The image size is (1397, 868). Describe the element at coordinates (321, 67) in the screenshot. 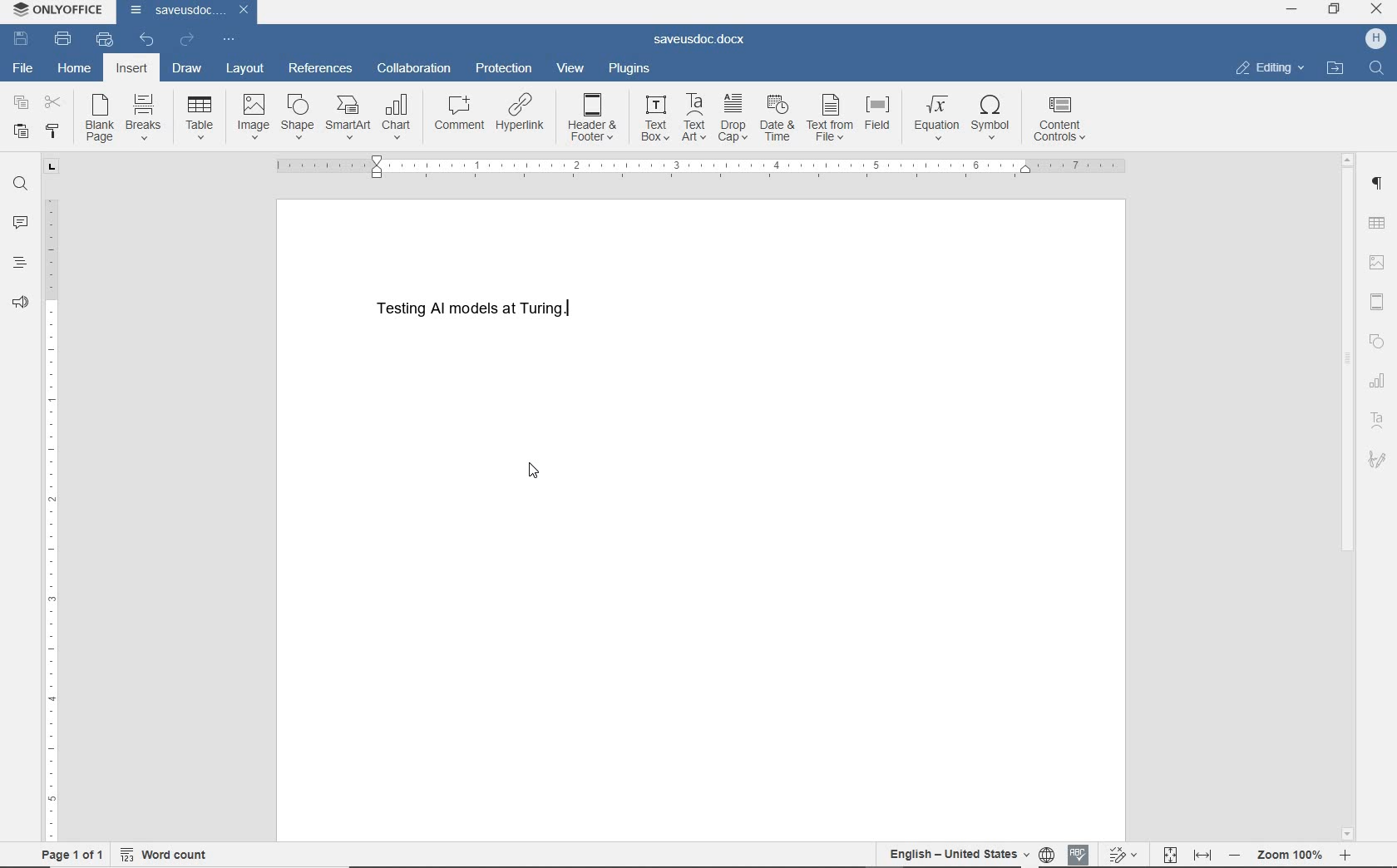

I see `references` at that location.